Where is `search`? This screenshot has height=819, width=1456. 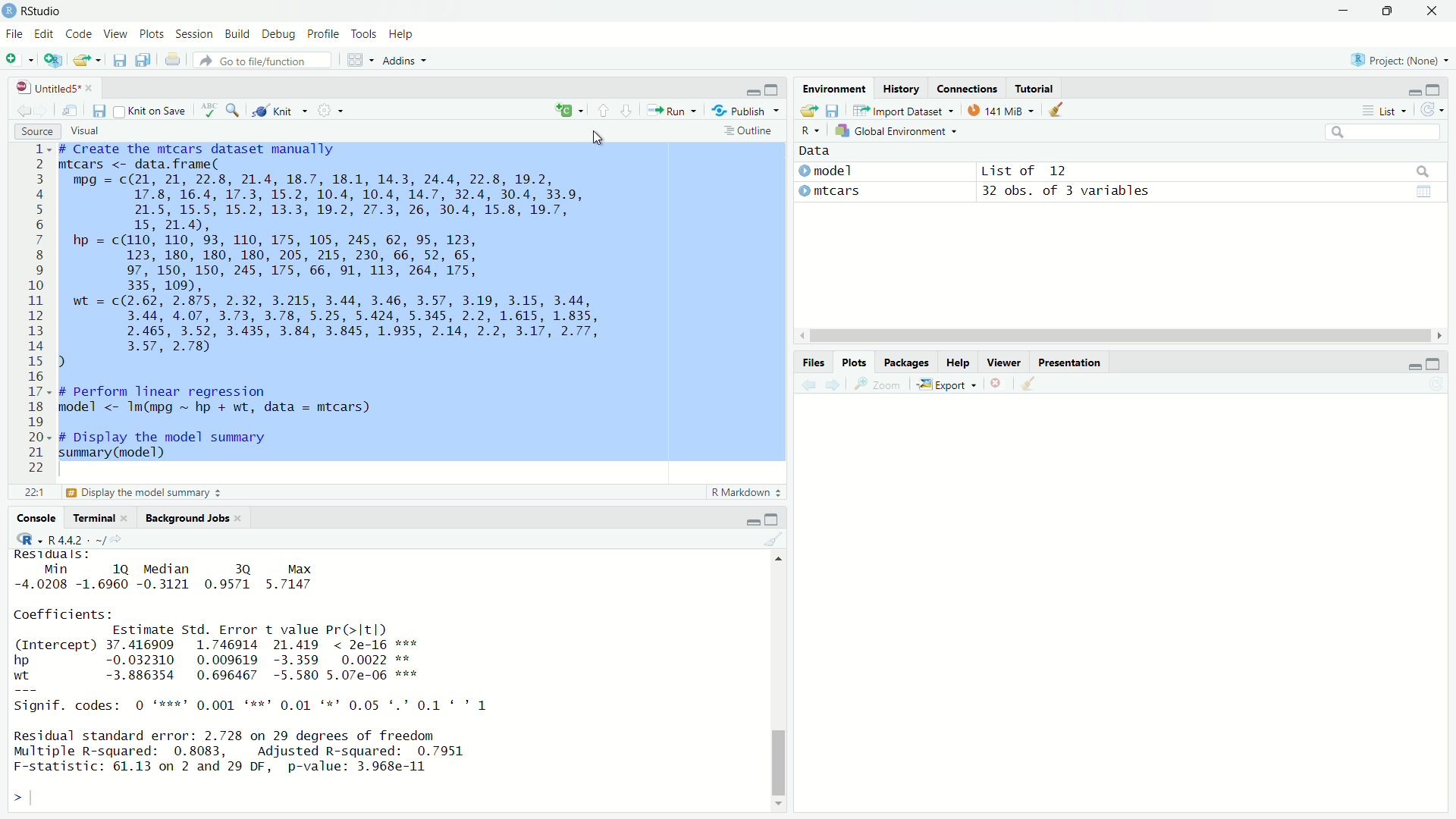
search is located at coordinates (236, 111).